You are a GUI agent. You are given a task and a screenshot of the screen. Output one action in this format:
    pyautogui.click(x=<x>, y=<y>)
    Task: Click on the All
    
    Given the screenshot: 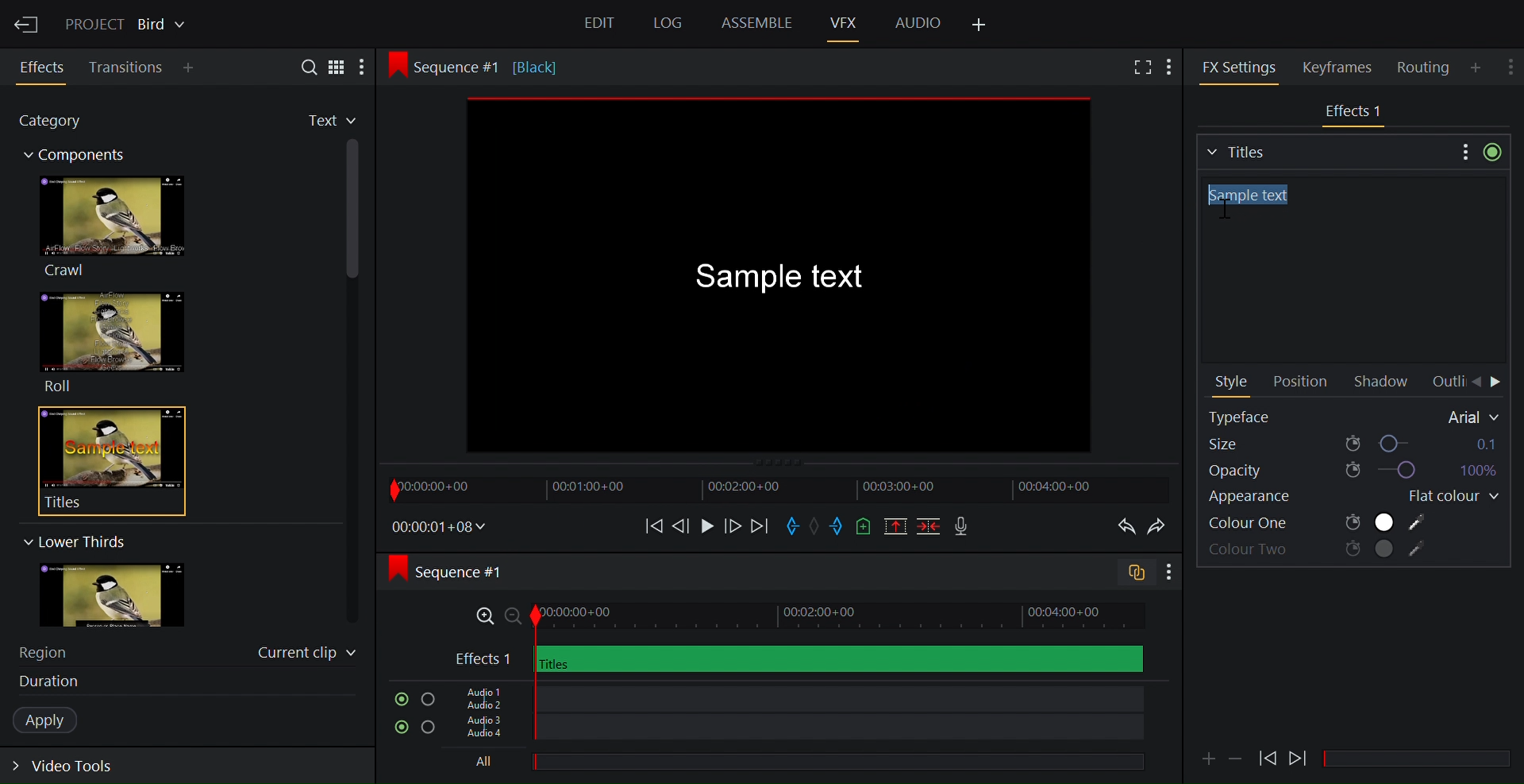 What is the action you would take?
    pyautogui.click(x=790, y=763)
    